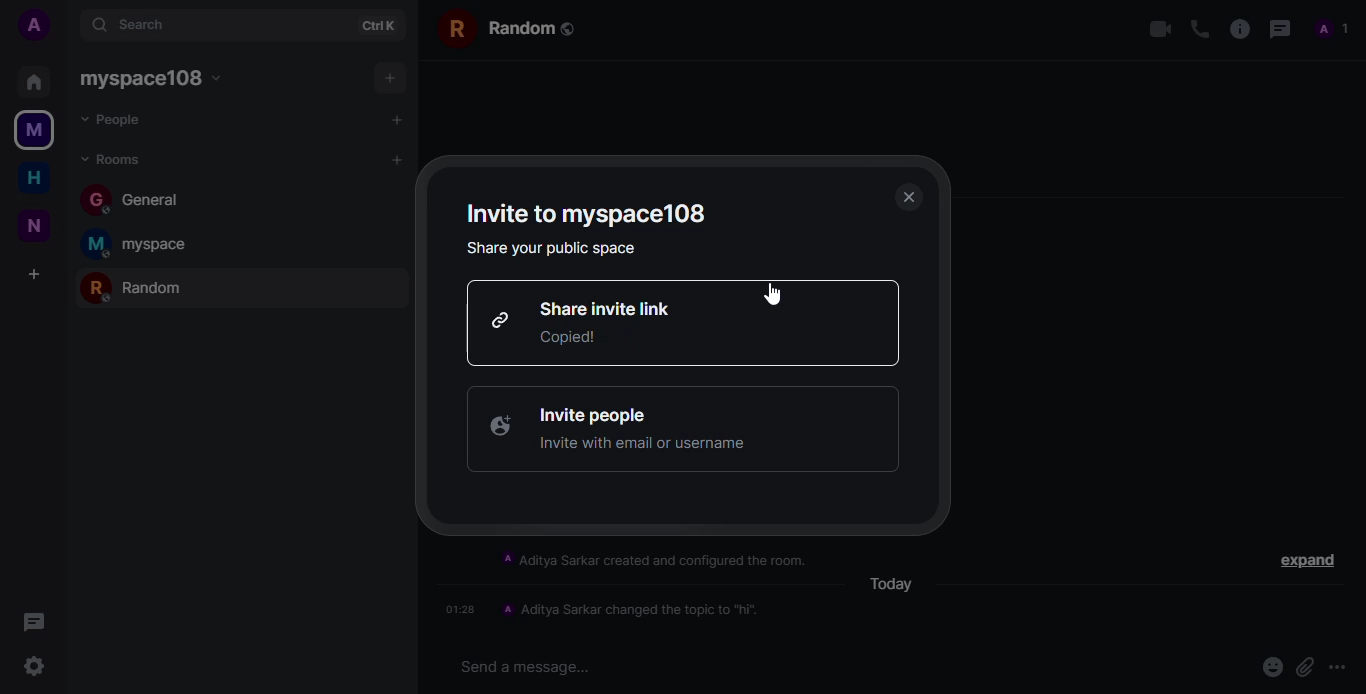  Describe the element at coordinates (619, 336) in the screenshot. I see `link copied` at that location.